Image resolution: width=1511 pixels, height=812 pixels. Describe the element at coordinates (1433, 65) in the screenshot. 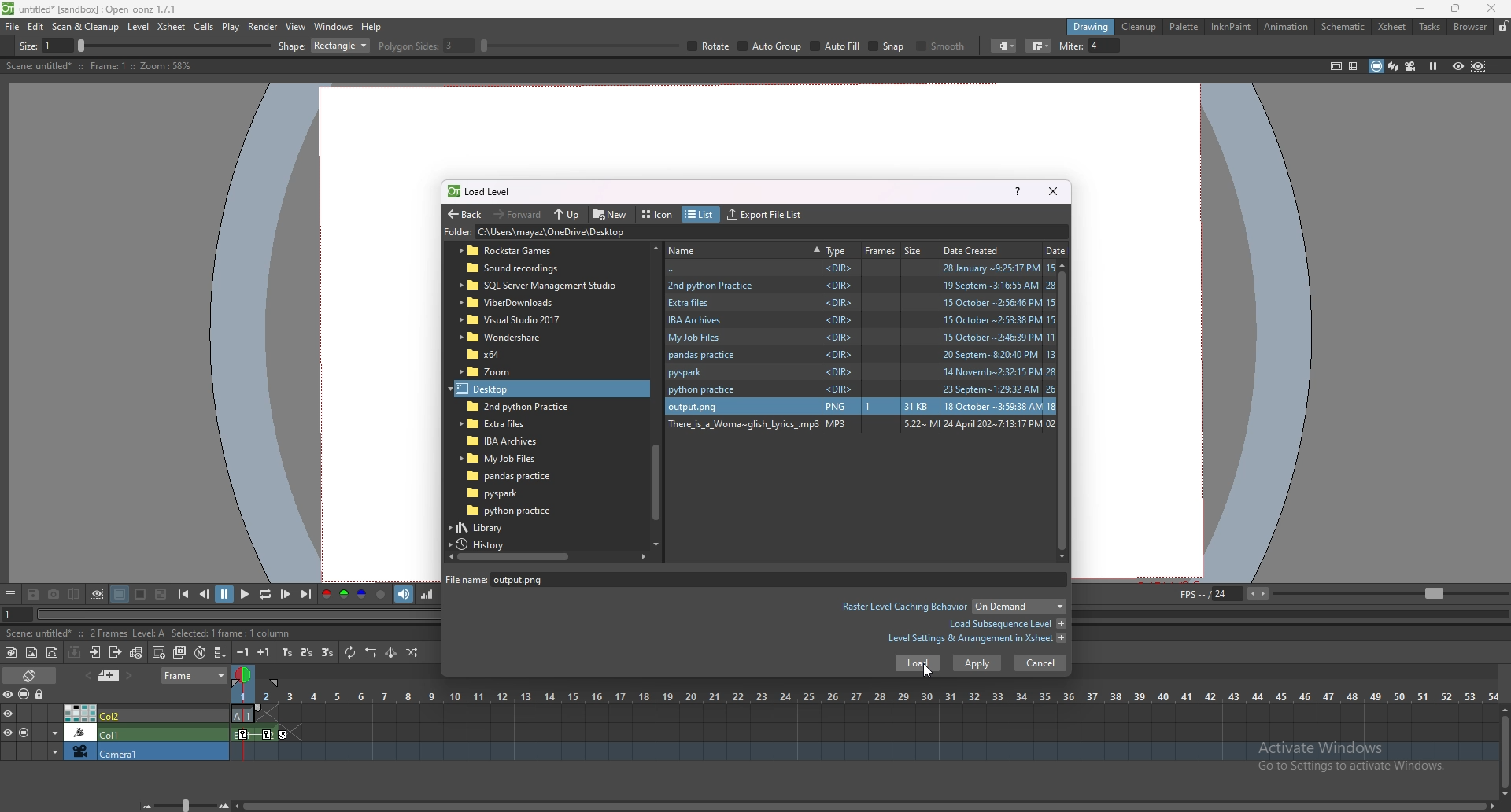

I see `freeze` at that location.